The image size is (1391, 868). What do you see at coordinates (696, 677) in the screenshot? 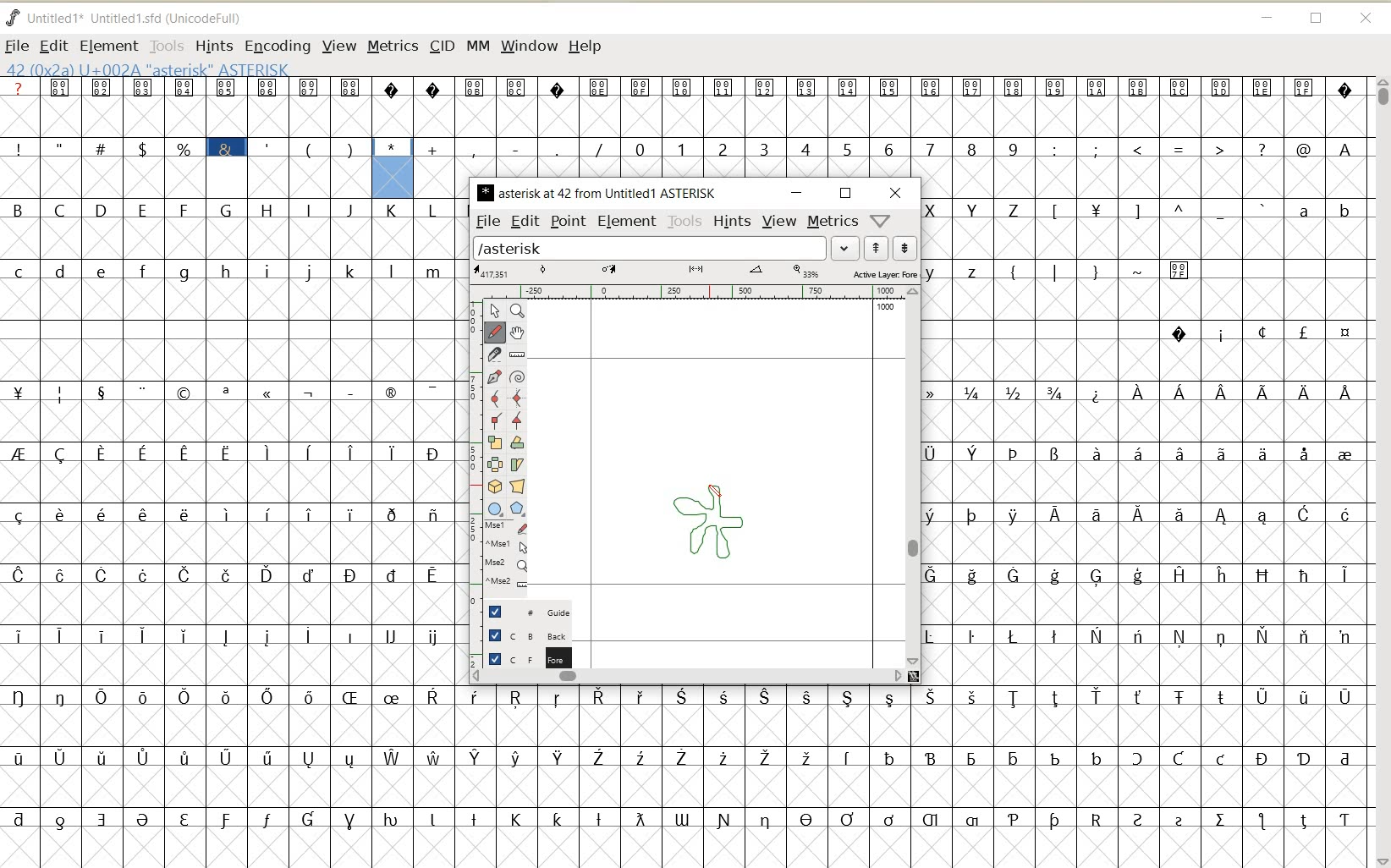
I see `SCROLLBAR` at bounding box center [696, 677].